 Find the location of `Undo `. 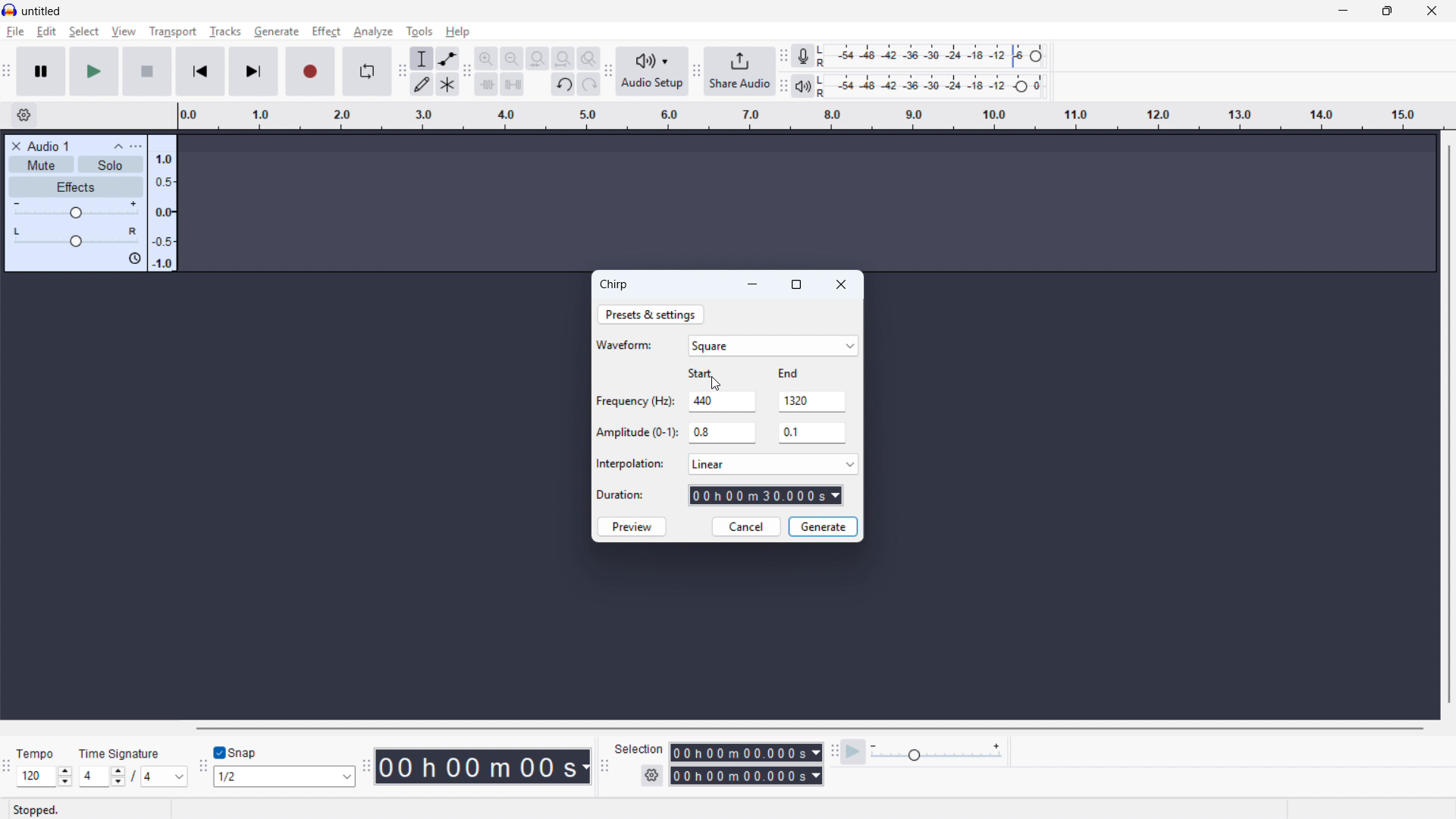

Undo  is located at coordinates (564, 85).